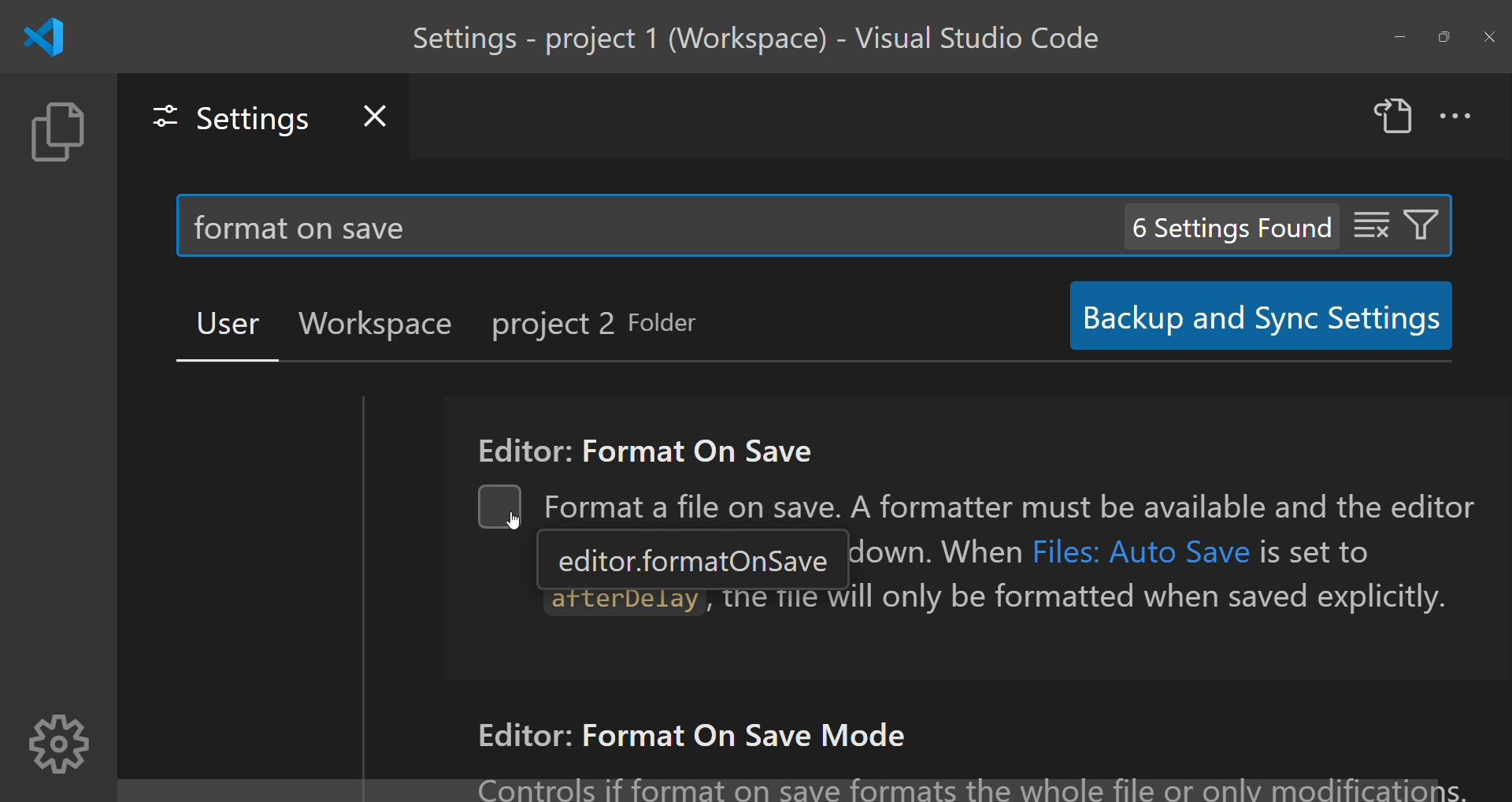  Describe the element at coordinates (695, 736) in the screenshot. I see `Editor: format on save mode` at that location.